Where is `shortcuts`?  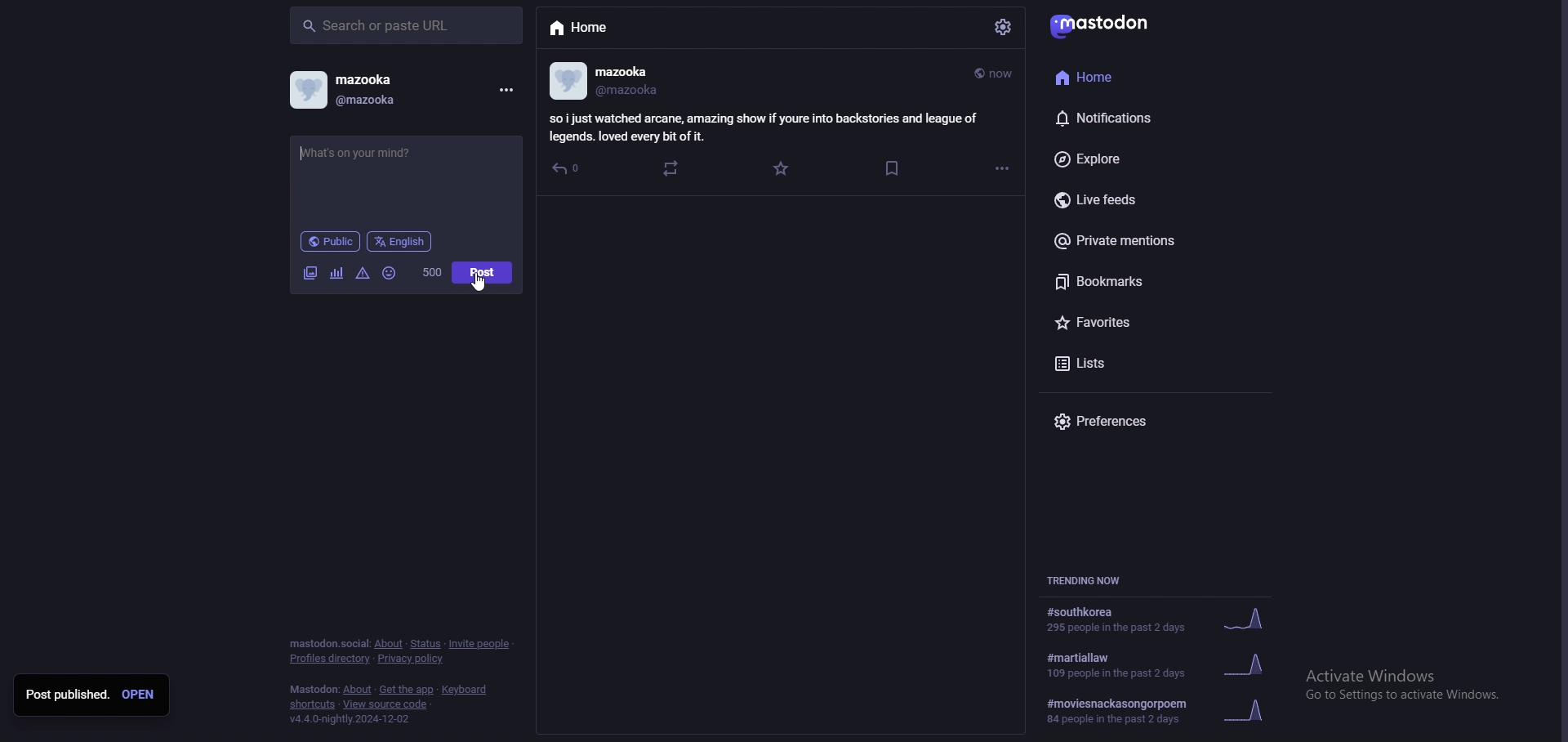
shortcuts is located at coordinates (310, 705).